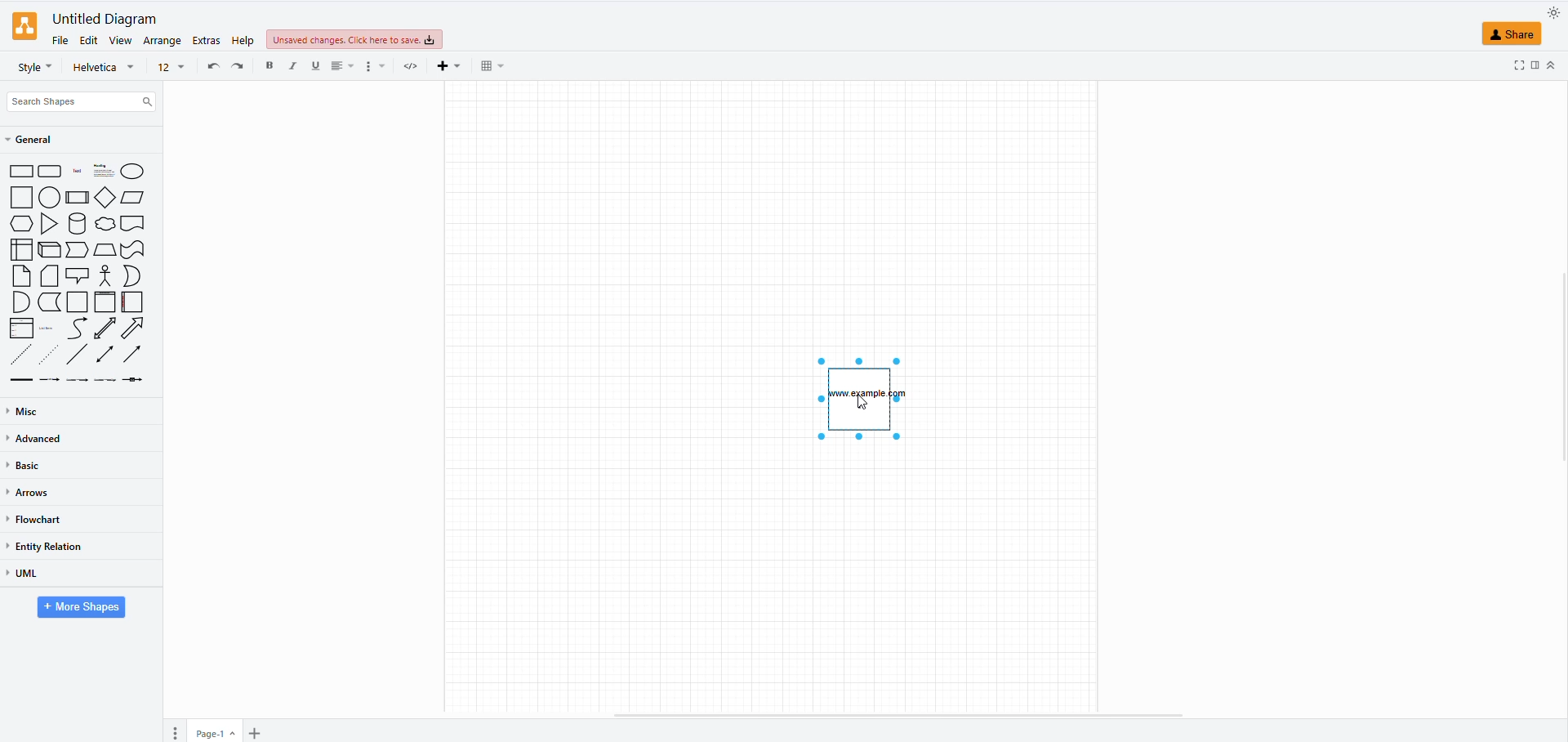 This screenshot has height=742, width=1568. Describe the element at coordinates (1535, 65) in the screenshot. I see `side` at that location.